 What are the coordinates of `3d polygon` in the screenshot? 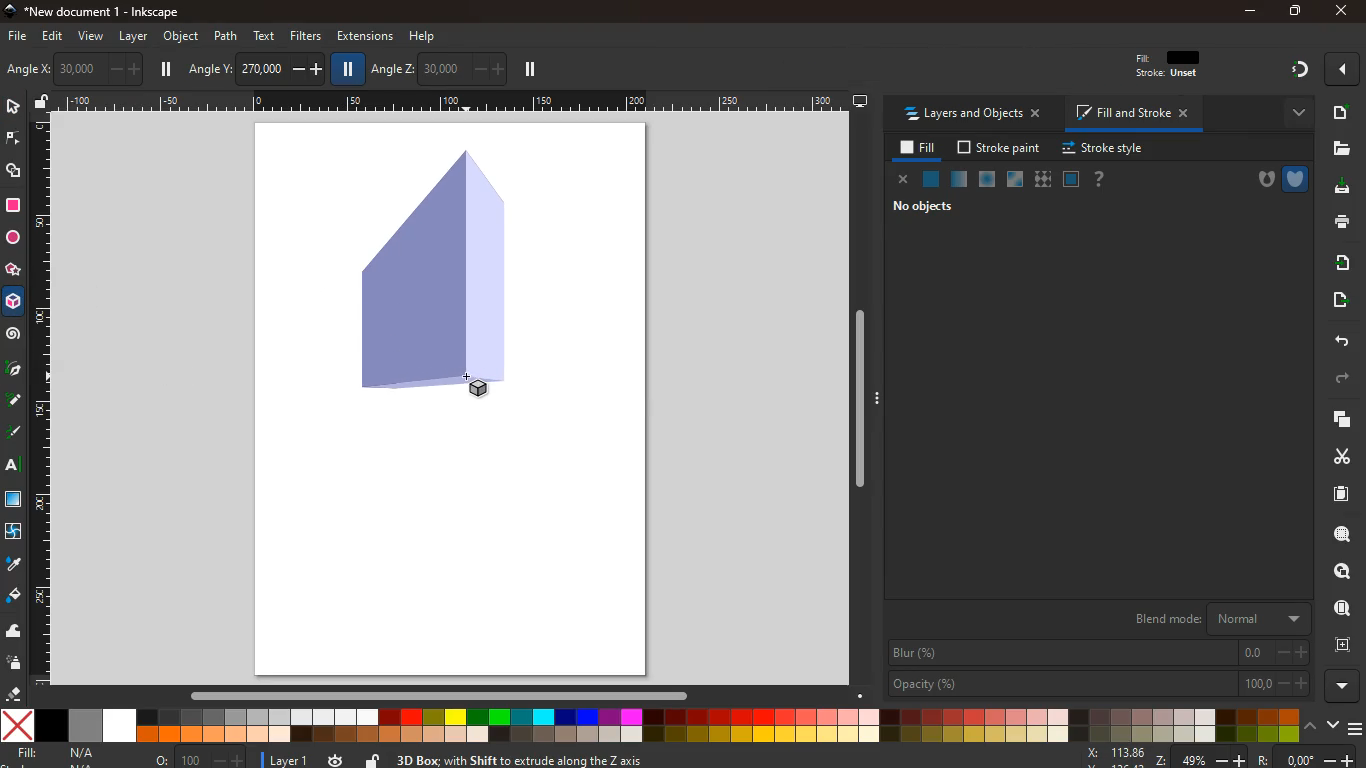 It's located at (429, 273).